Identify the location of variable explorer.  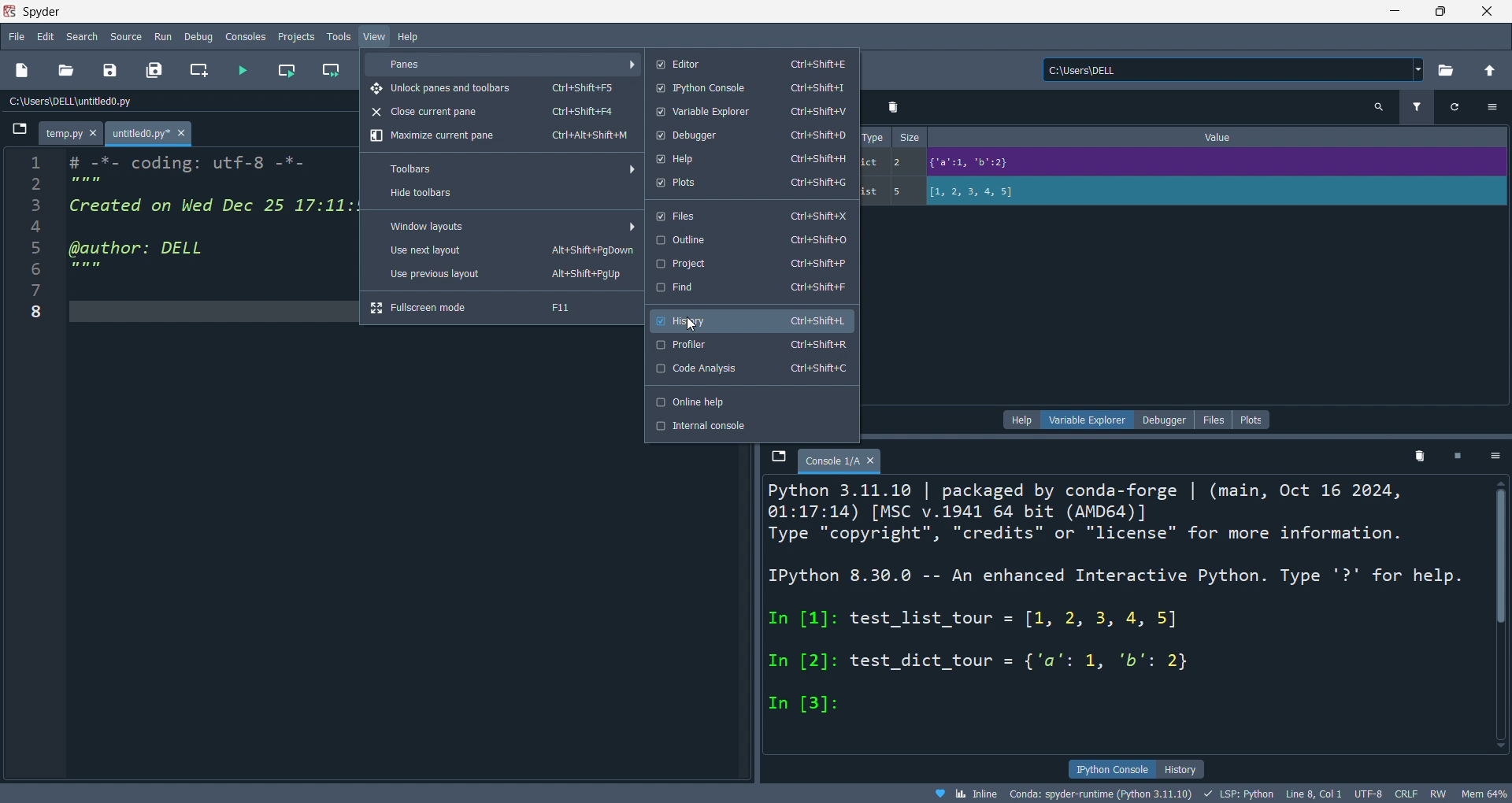
(748, 112).